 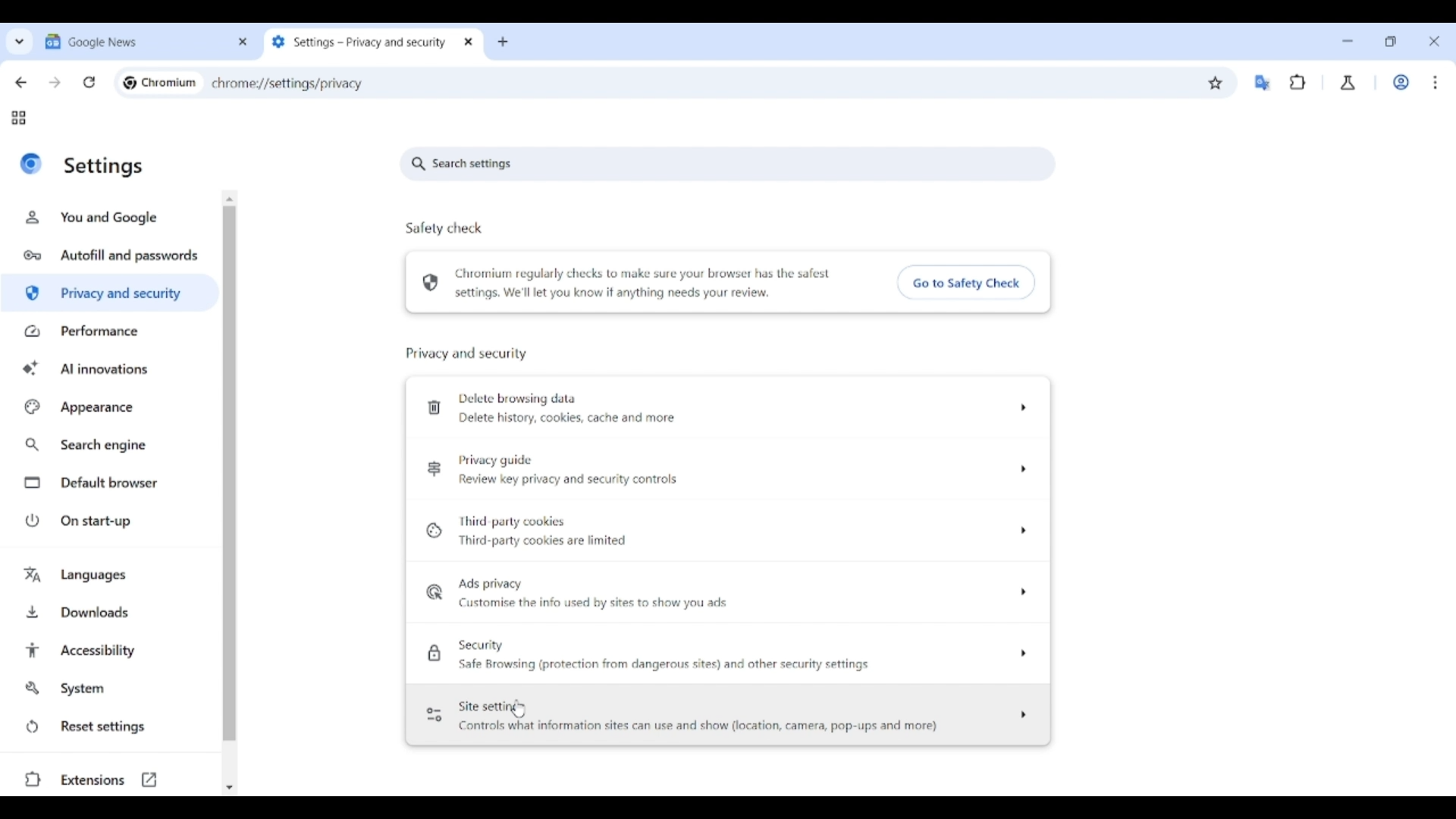 I want to click on Customize and control Chromium, so click(x=1435, y=82).